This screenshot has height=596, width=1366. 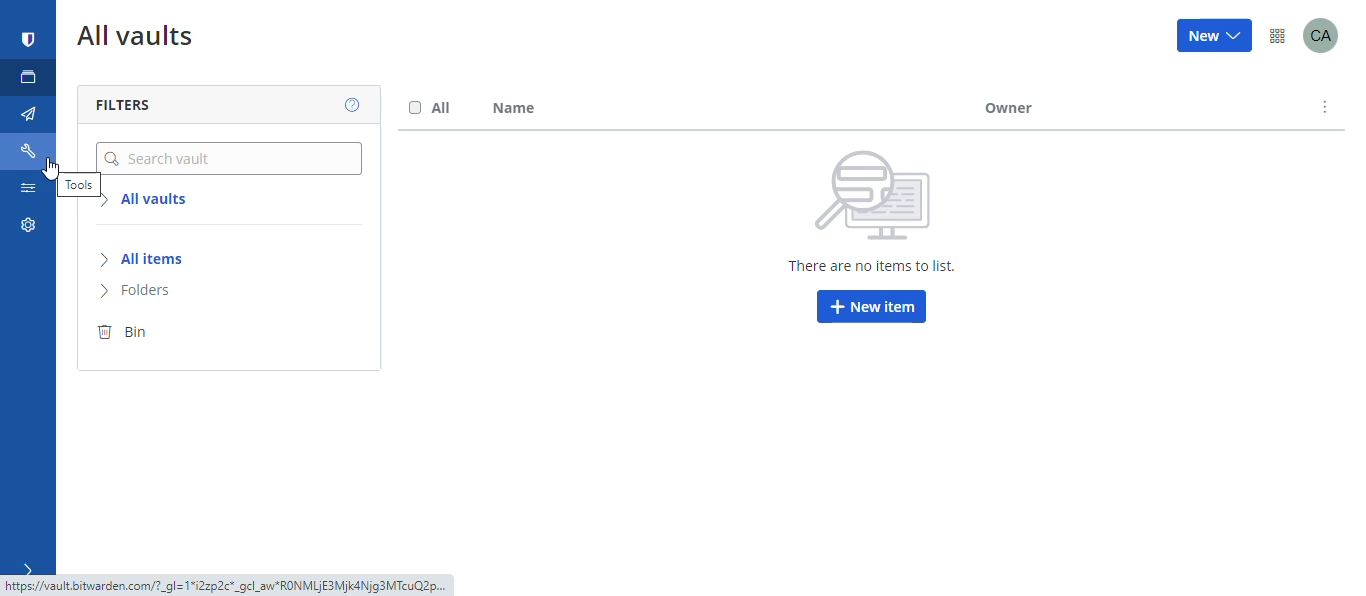 I want to click on bin , so click(x=146, y=332).